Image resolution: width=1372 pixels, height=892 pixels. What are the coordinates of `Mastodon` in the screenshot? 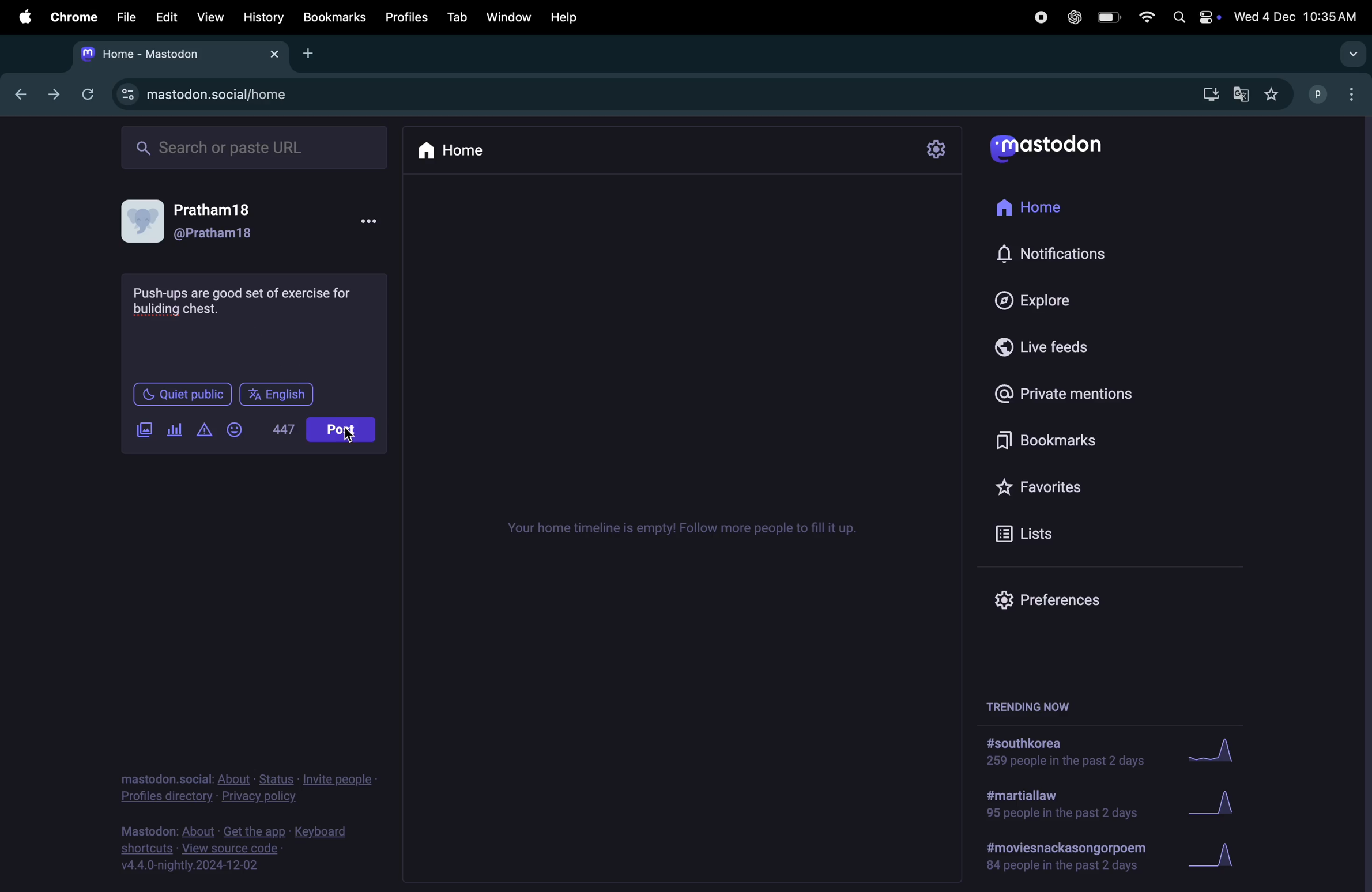 It's located at (1060, 148).